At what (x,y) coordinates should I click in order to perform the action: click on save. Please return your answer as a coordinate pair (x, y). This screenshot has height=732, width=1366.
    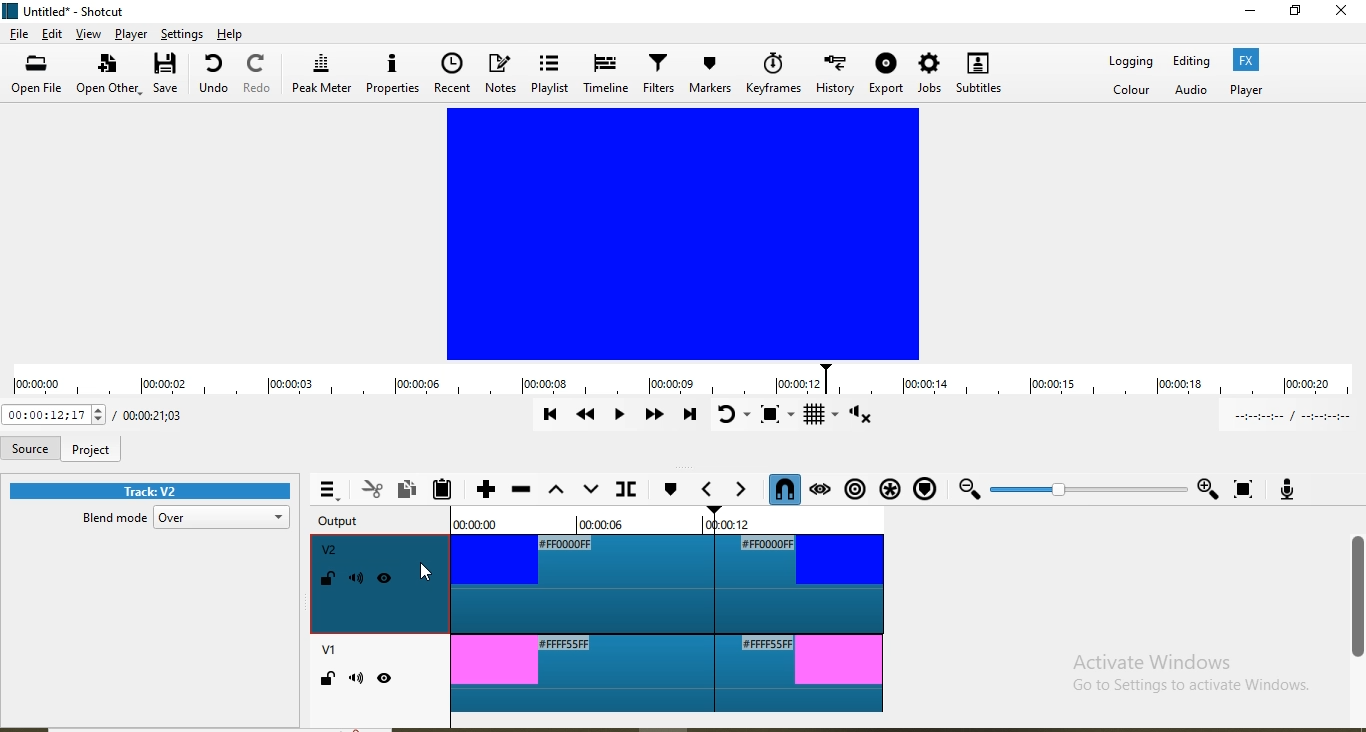
    Looking at the image, I should click on (170, 76).